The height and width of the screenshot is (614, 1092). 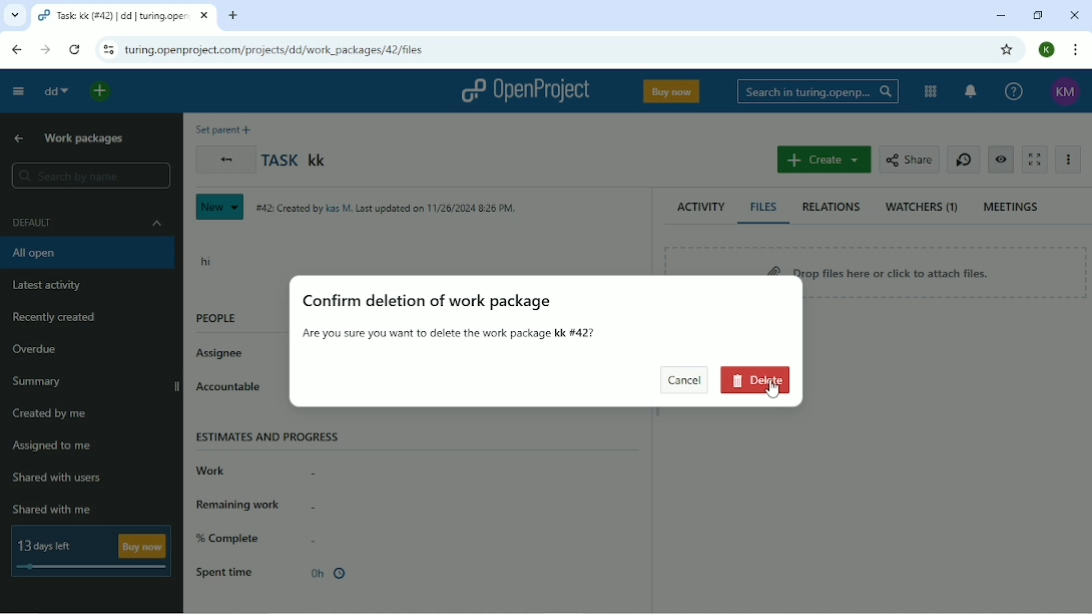 I want to click on Customize and control google chrome, so click(x=1075, y=51).